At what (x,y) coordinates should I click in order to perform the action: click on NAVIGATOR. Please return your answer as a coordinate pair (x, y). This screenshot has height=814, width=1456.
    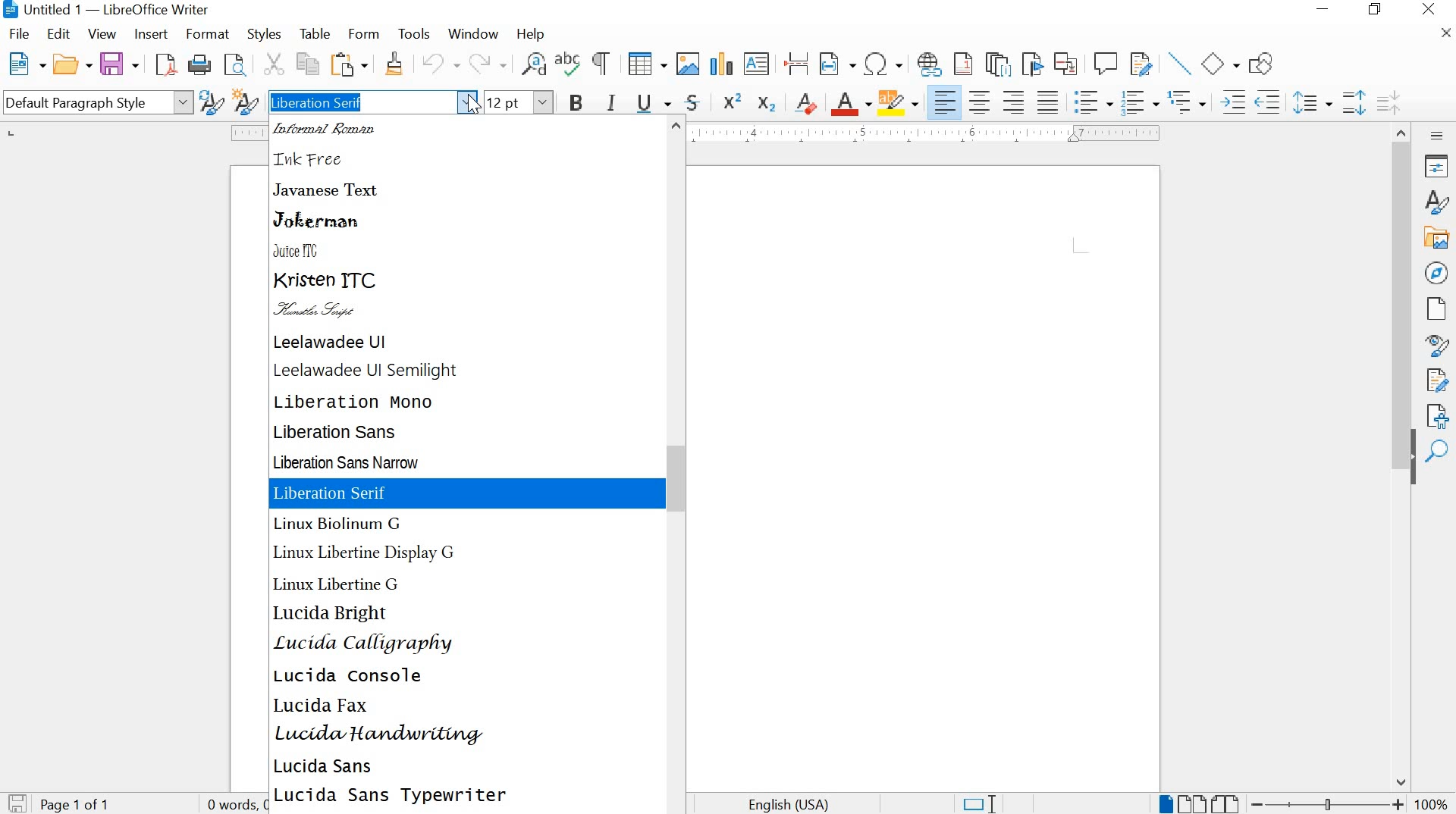
    Looking at the image, I should click on (1436, 273).